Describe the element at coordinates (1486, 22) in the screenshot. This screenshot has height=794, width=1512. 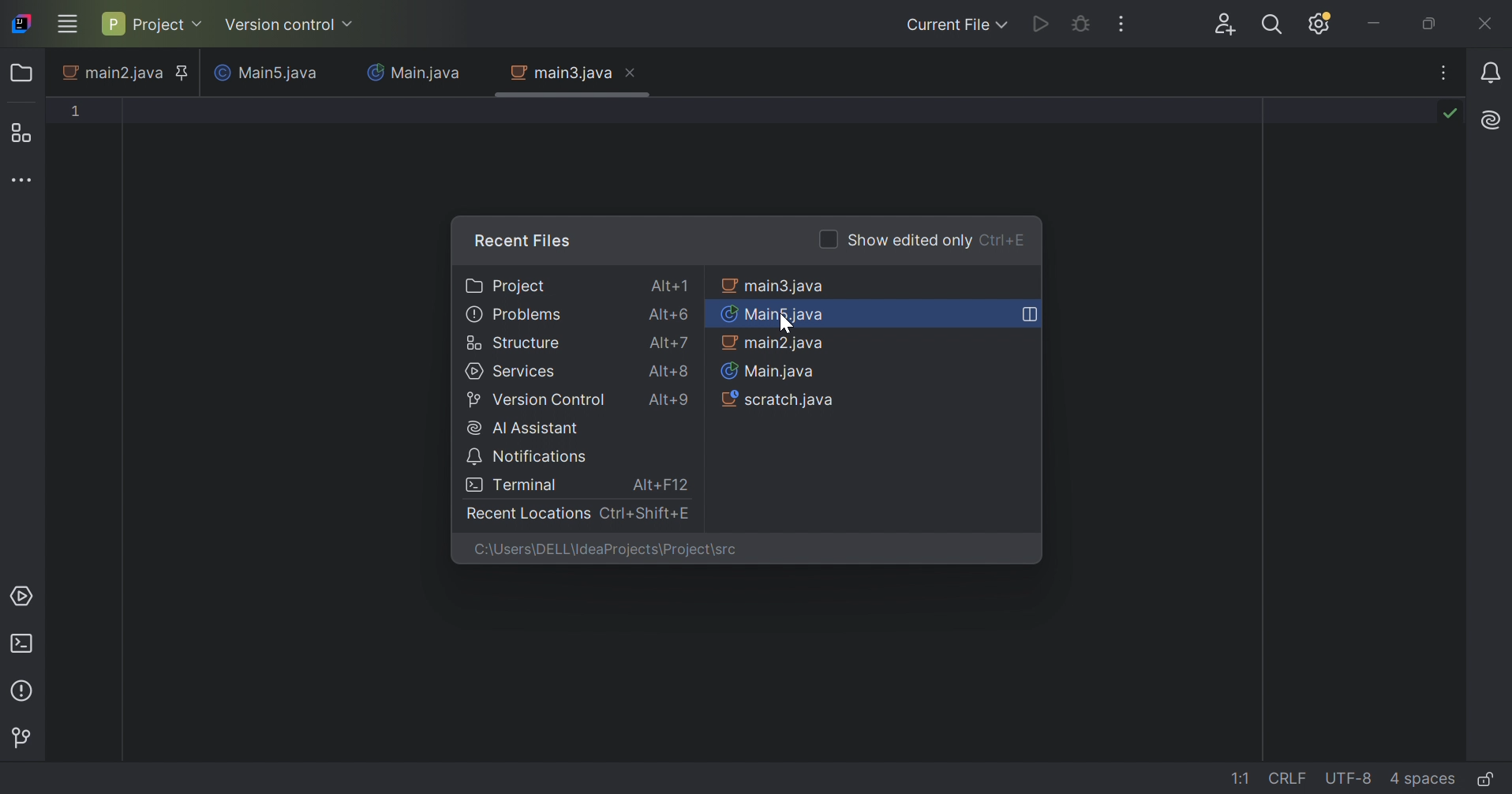
I see `Close` at that location.